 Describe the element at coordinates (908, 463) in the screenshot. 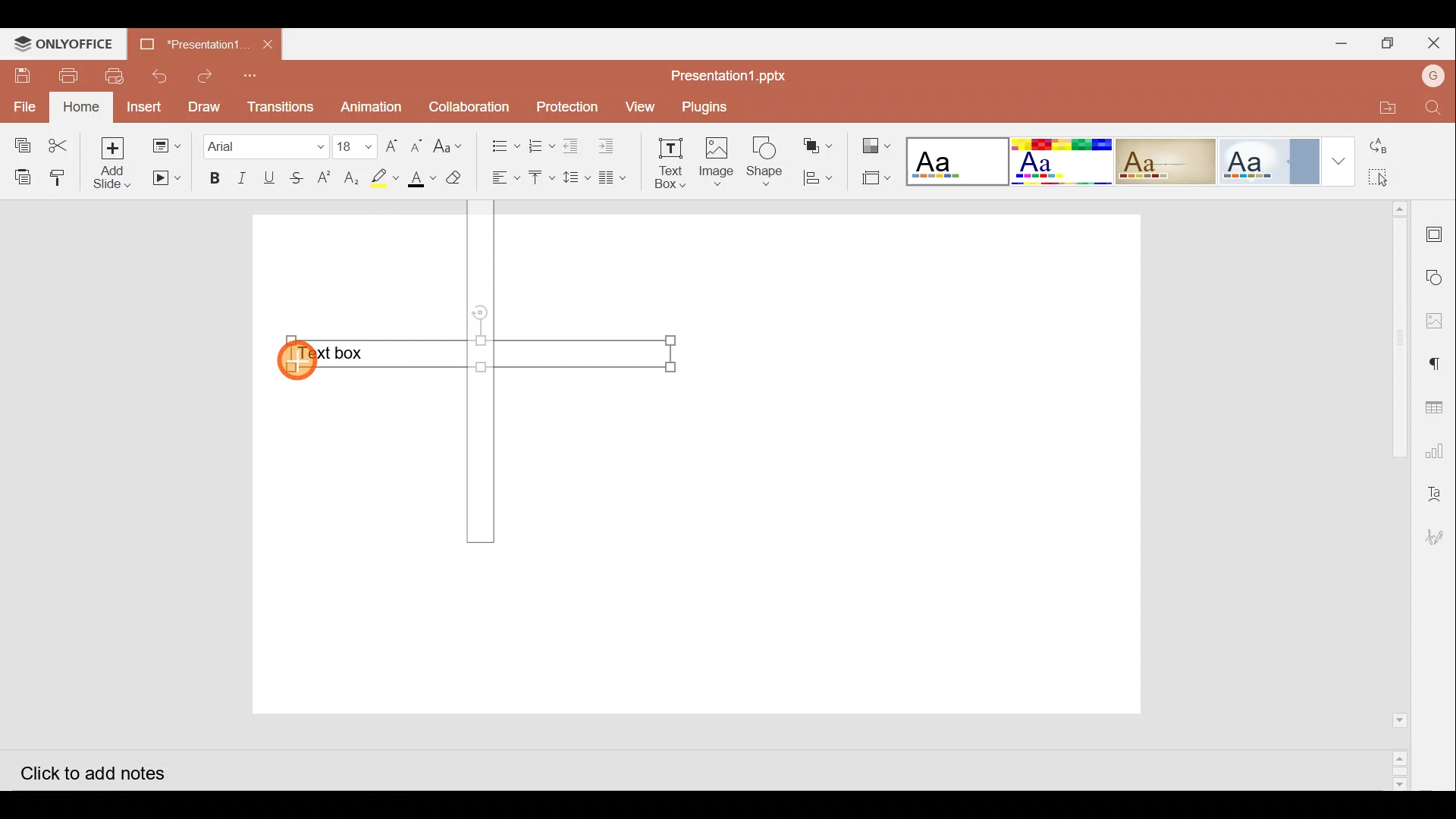

I see `Presentation slide` at that location.